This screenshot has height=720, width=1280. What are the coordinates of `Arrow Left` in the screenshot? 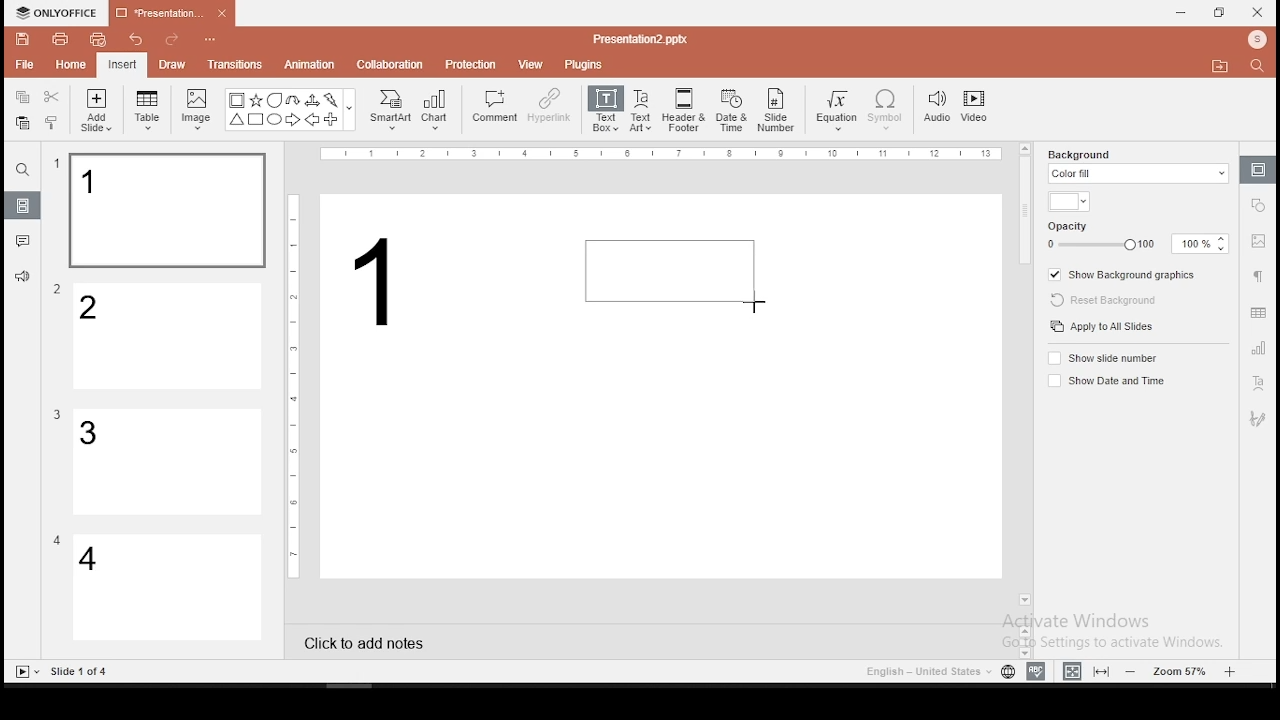 It's located at (312, 120).